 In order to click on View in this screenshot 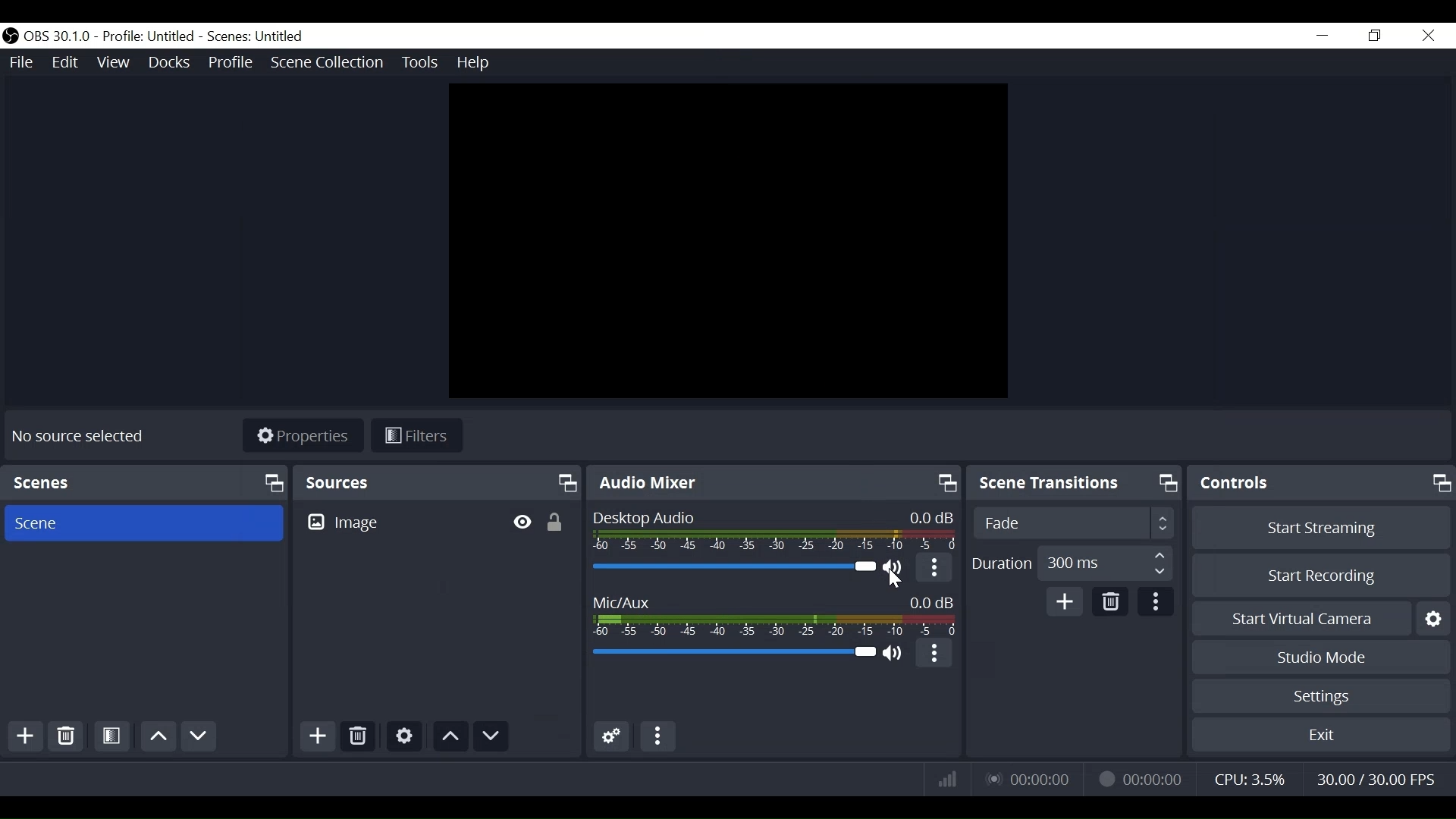, I will do `click(116, 63)`.